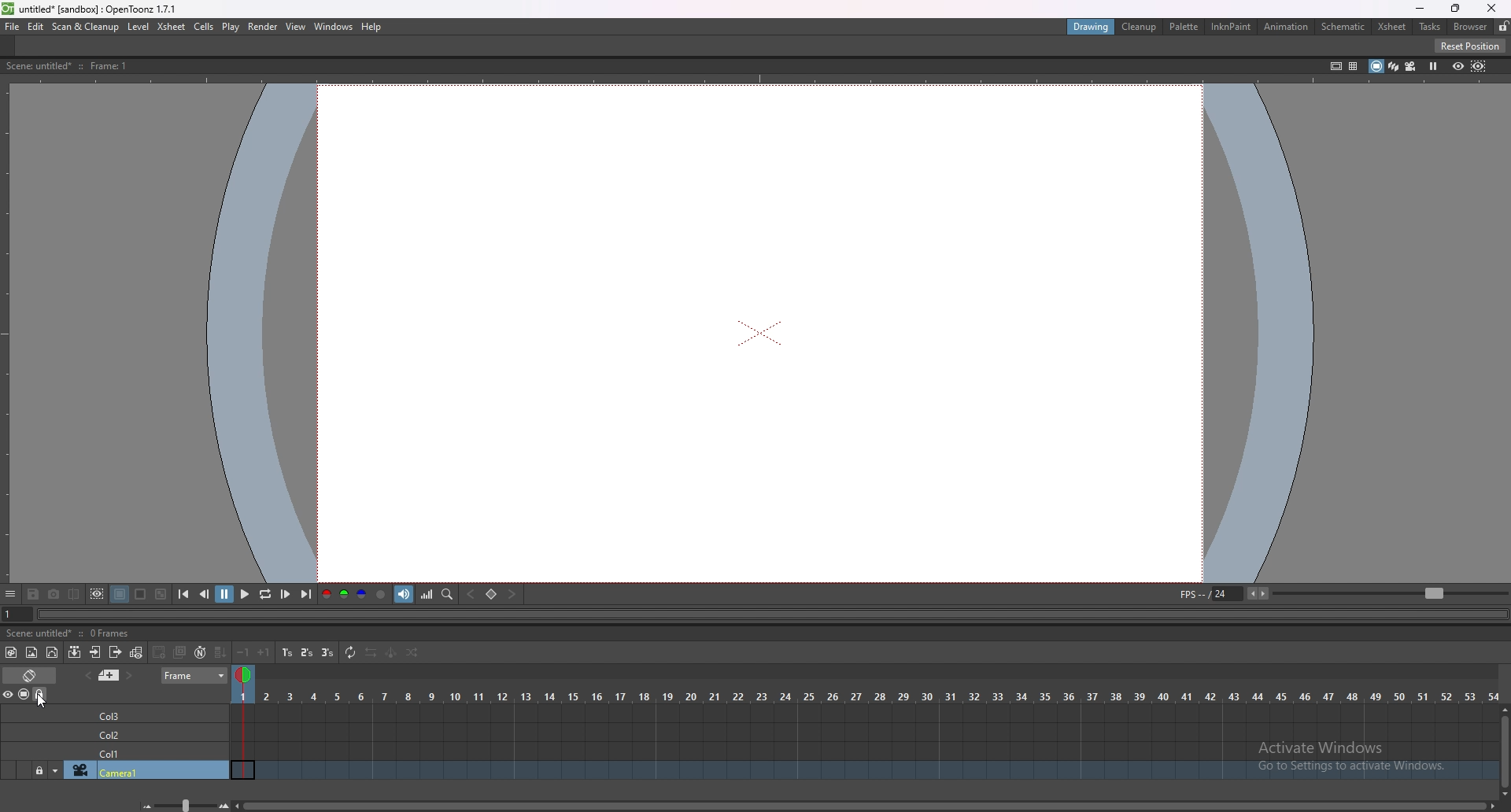 The image size is (1511, 812). I want to click on schematic, so click(1343, 26).